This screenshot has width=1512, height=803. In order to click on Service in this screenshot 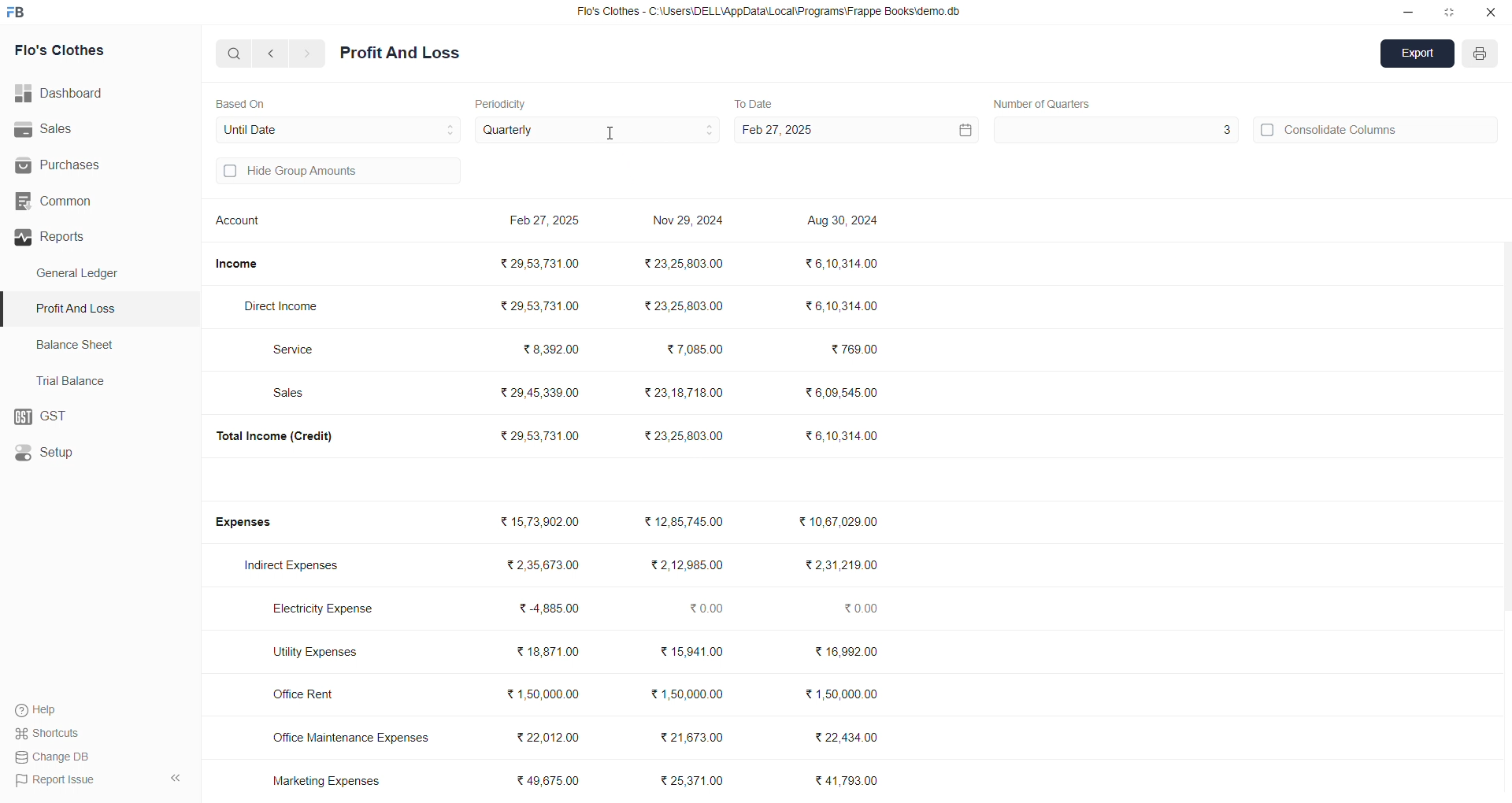, I will do `click(302, 349)`.